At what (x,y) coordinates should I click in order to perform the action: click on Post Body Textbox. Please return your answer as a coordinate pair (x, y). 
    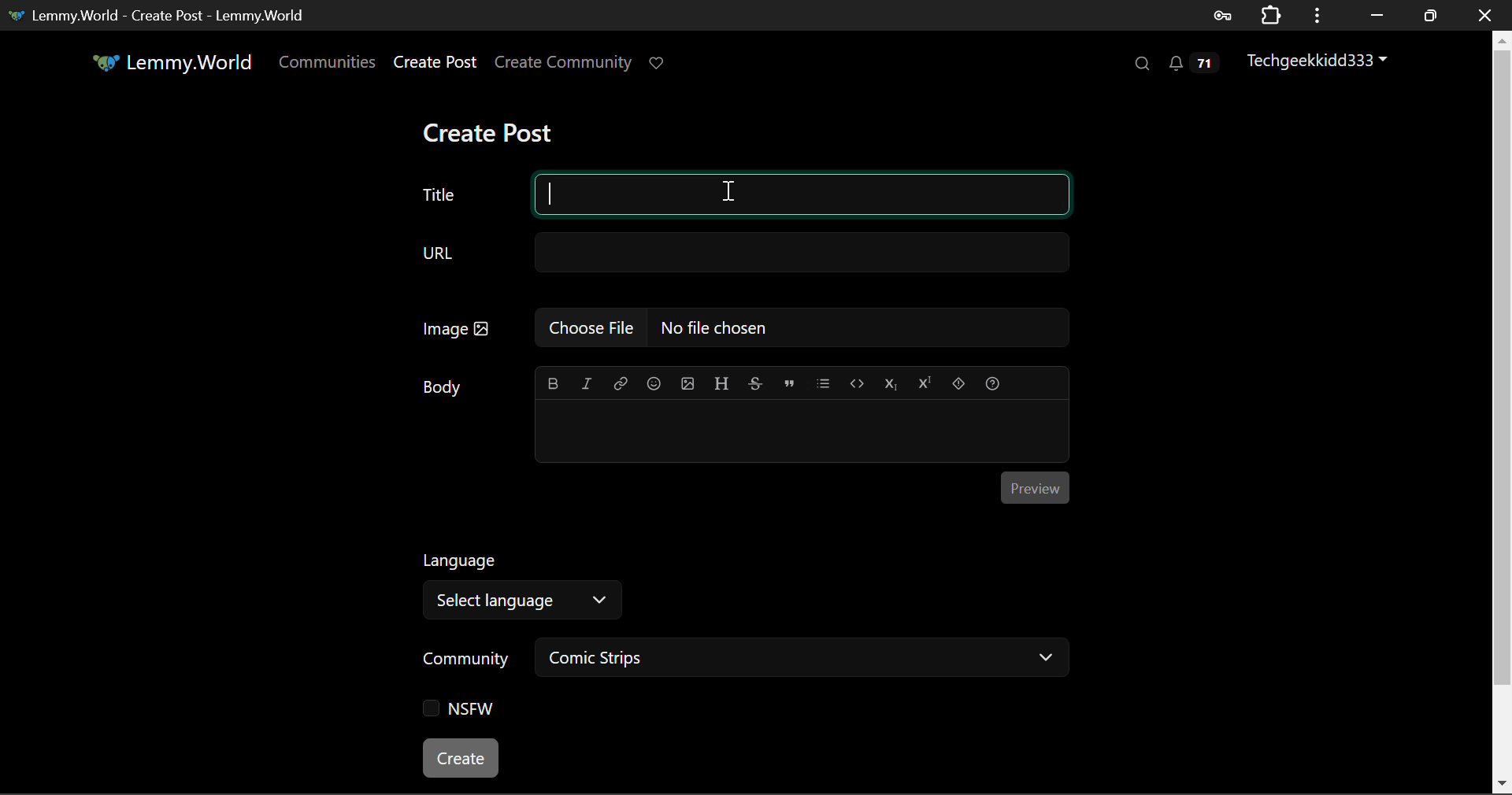
    Looking at the image, I should click on (802, 430).